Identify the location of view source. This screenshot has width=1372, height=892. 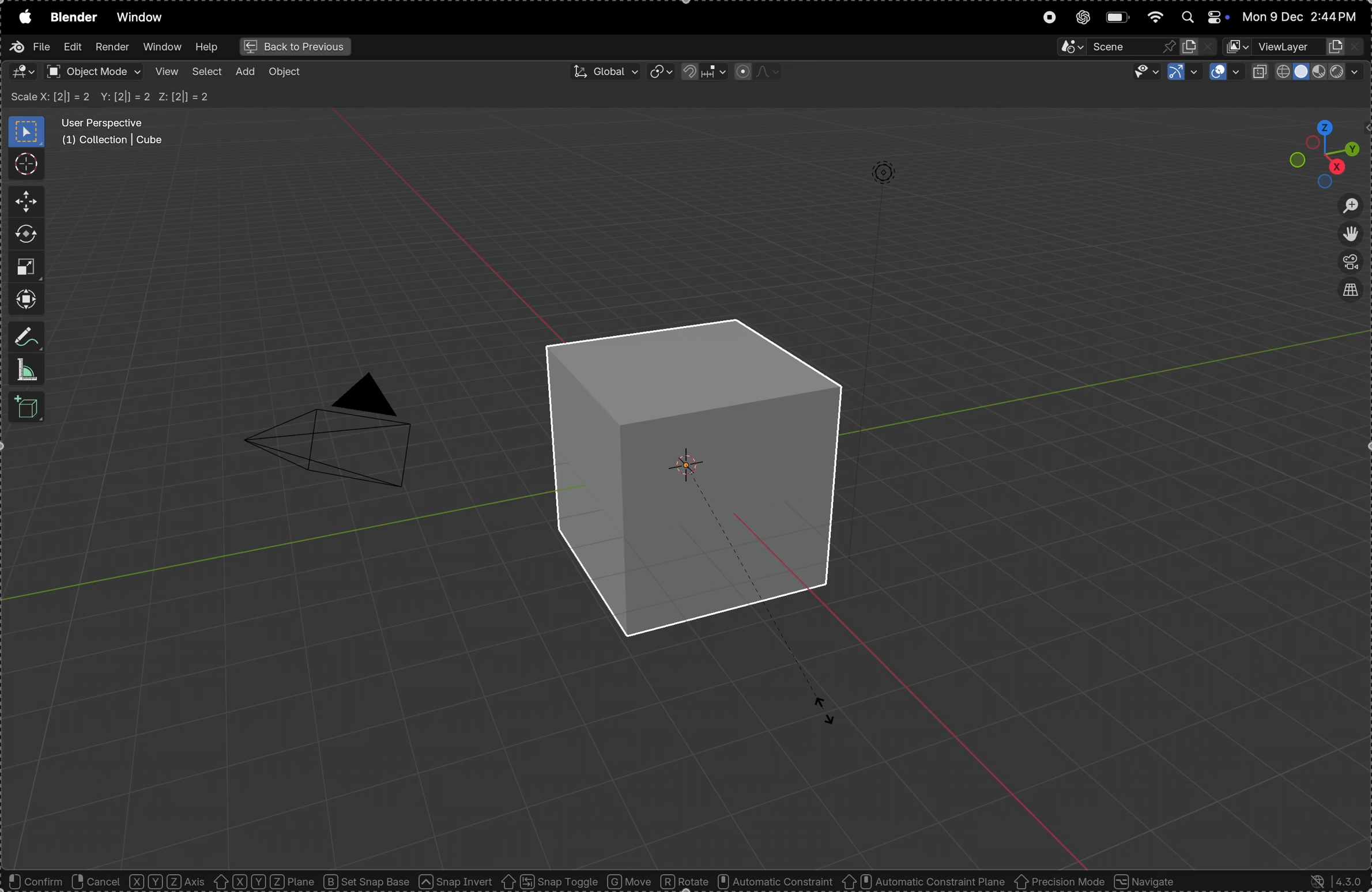
(1352, 292).